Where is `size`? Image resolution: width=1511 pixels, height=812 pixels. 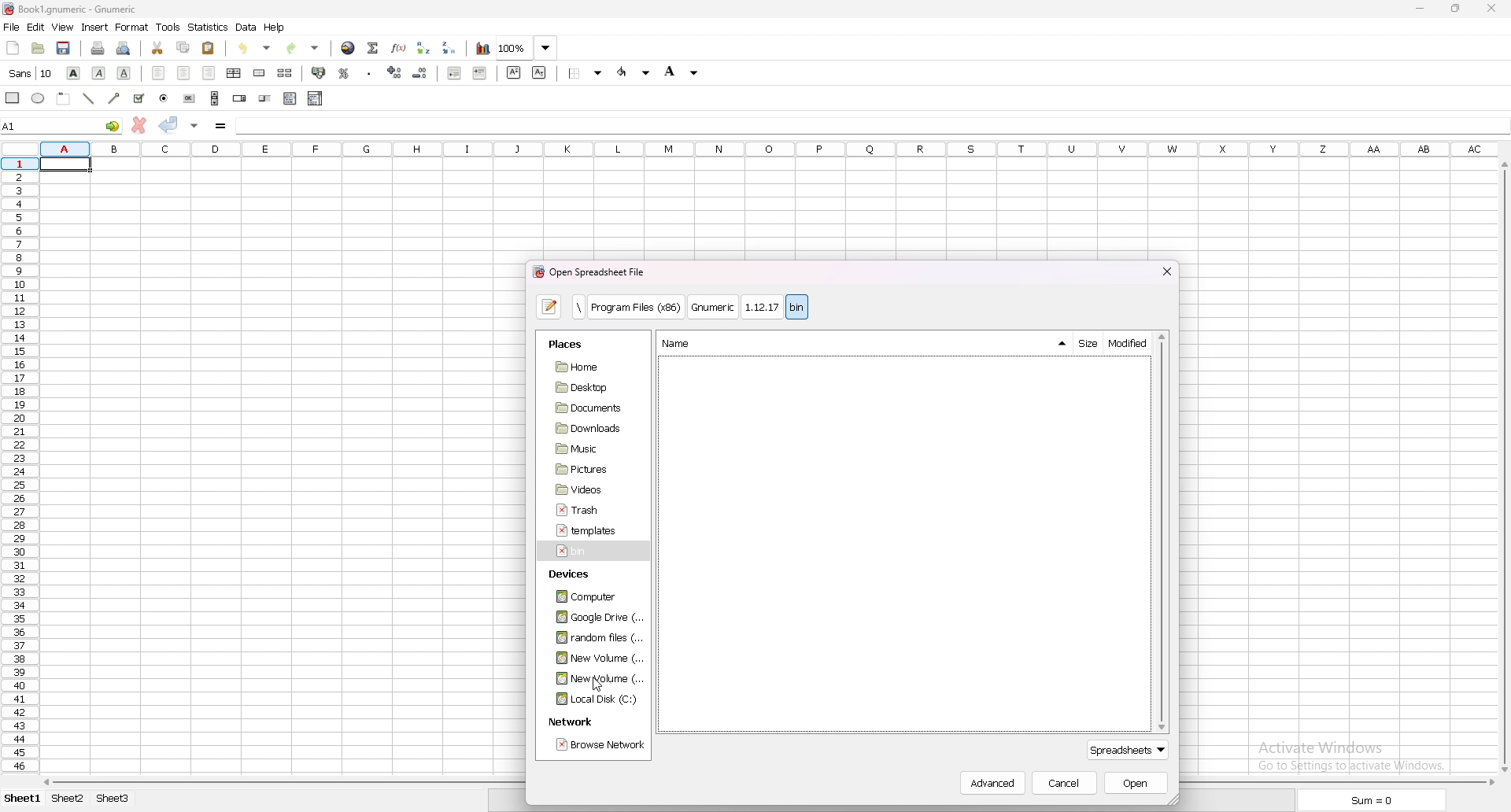
size is located at coordinates (1086, 344).